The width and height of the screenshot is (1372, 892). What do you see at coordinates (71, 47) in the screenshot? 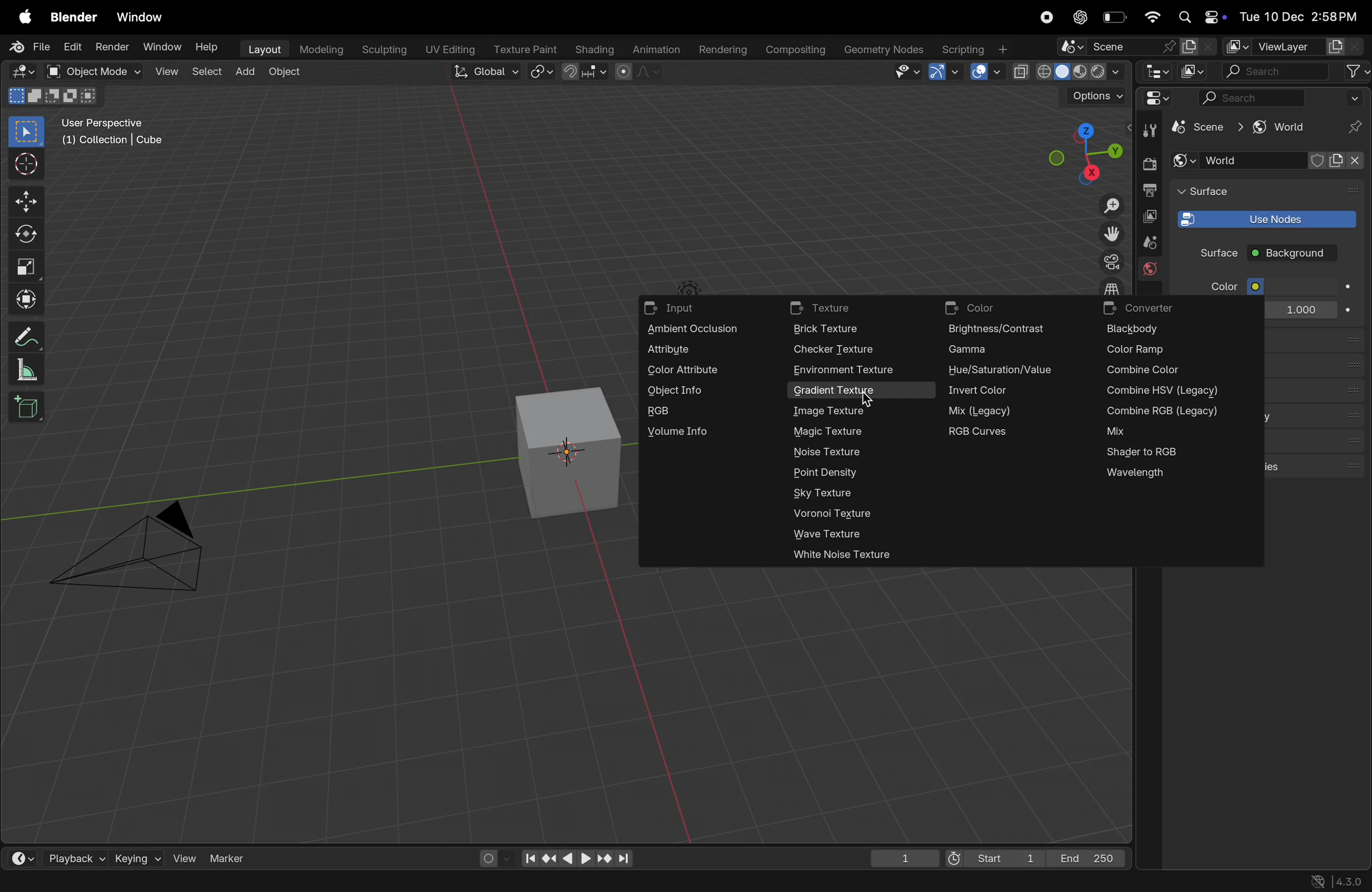
I see `Edit` at bounding box center [71, 47].